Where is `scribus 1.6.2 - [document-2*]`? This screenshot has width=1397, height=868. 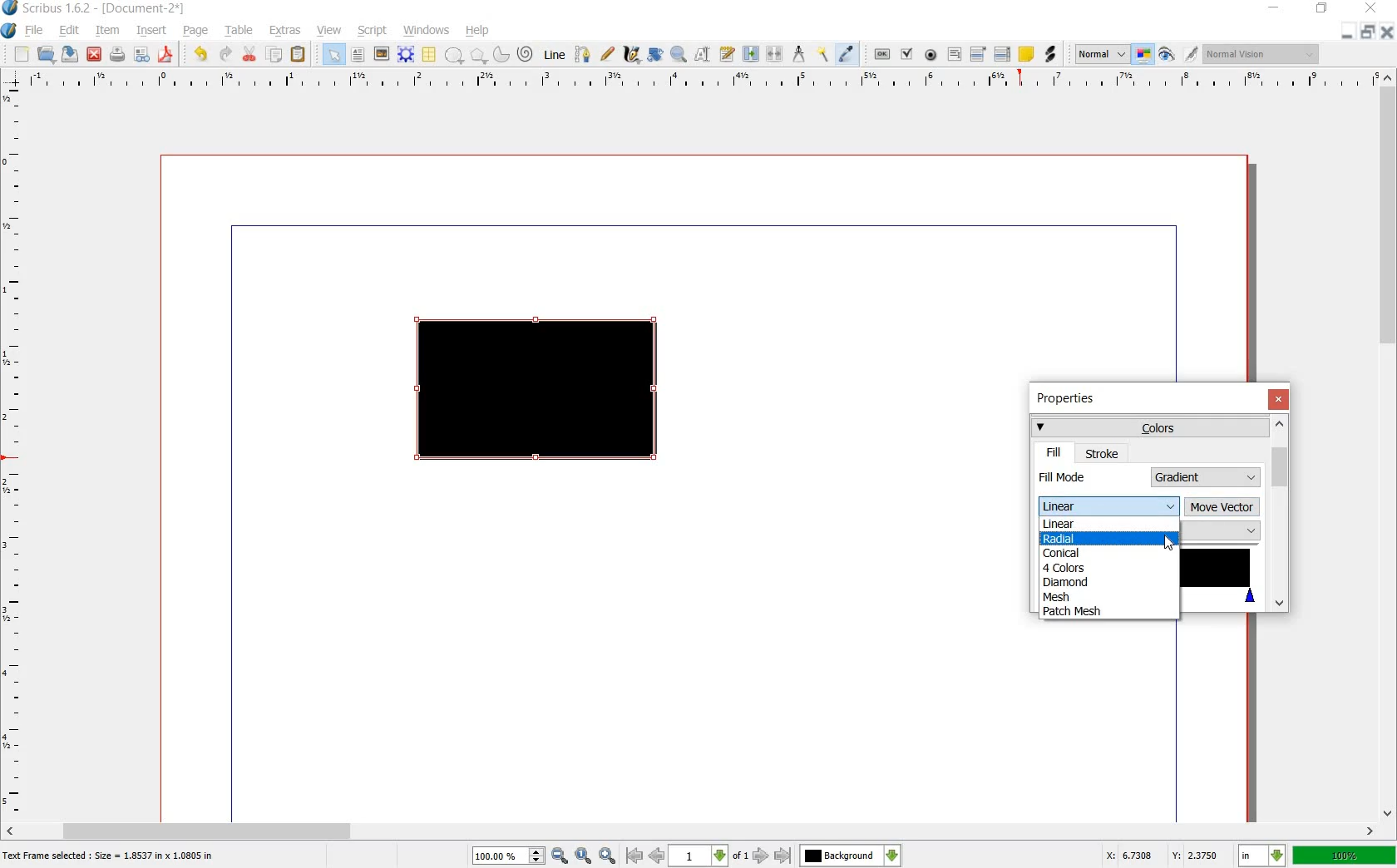 scribus 1.6.2 - [document-2*] is located at coordinates (110, 9).